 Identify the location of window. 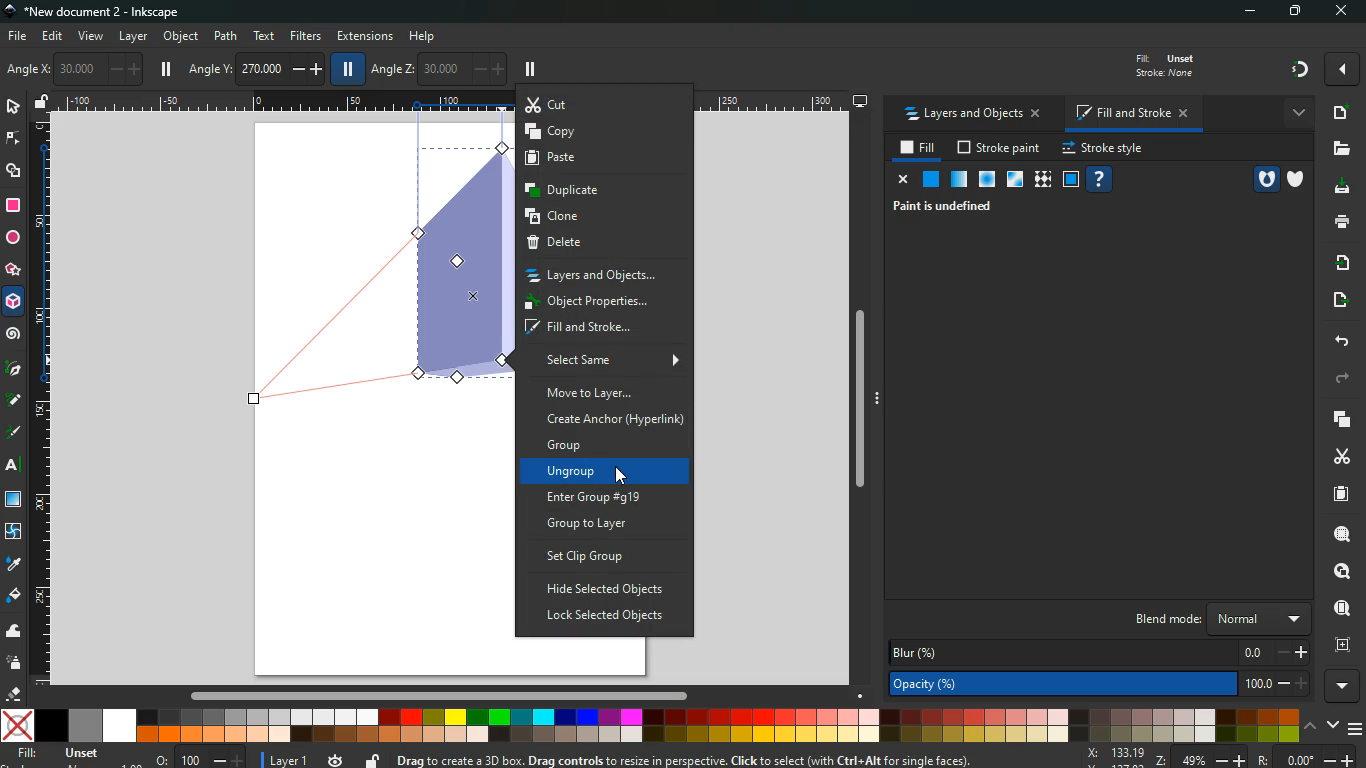
(15, 500).